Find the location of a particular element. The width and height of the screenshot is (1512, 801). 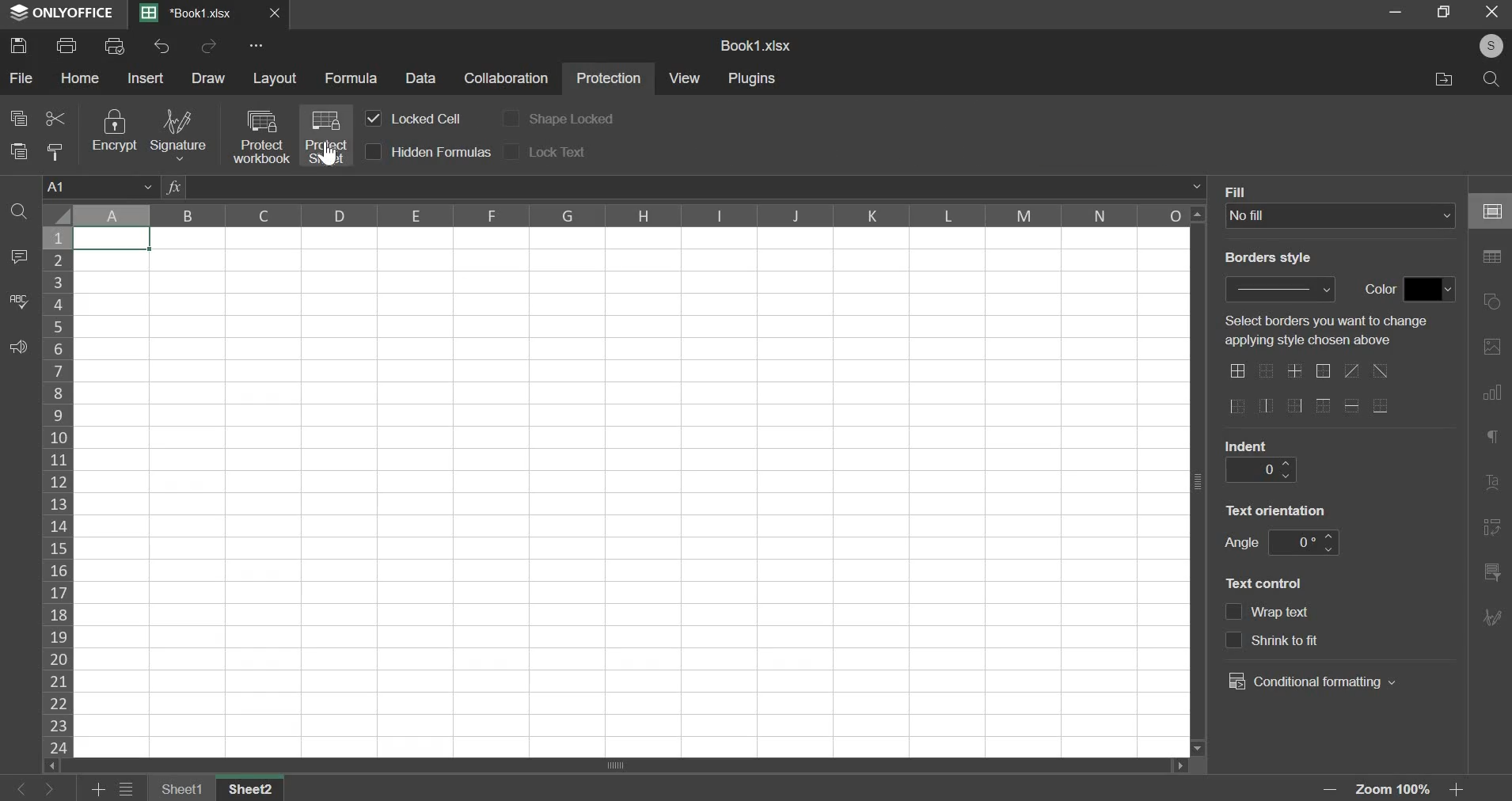

border options is located at coordinates (1267, 373).